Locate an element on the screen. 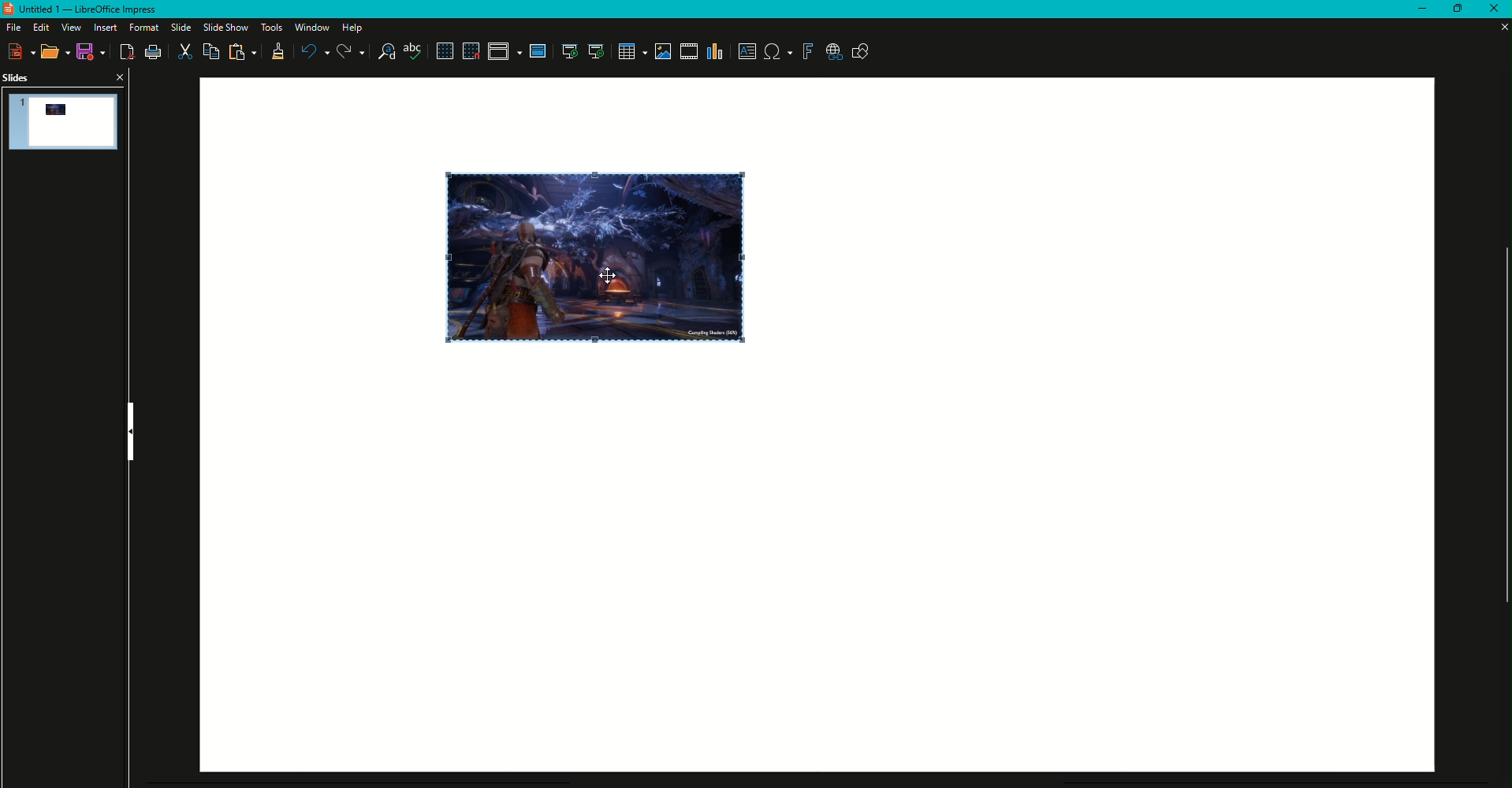  Hyperlink is located at coordinates (834, 53).